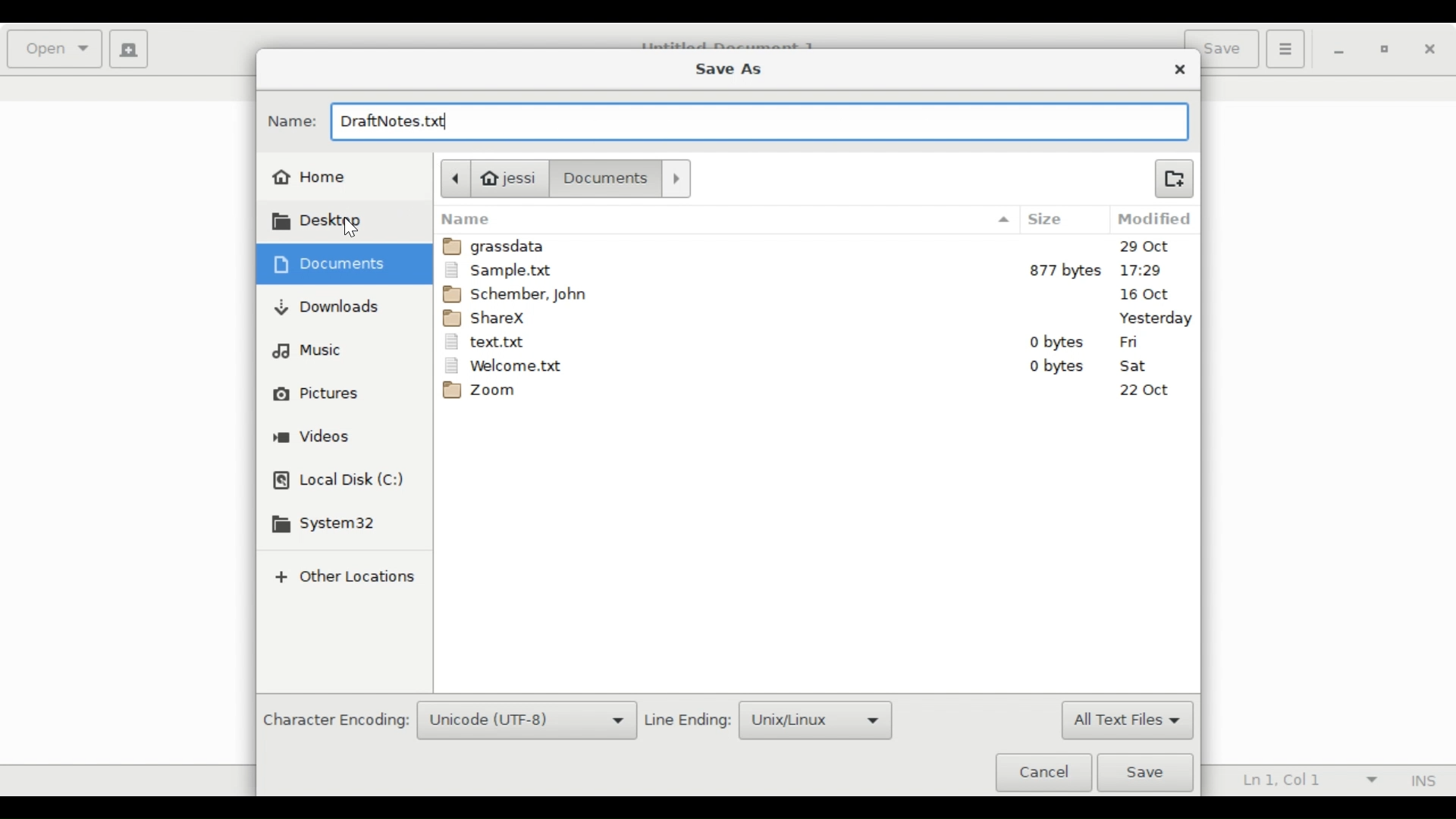 This screenshot has width=1456, height=819. Describe the element at coordinates (1058, 220) in the screenshot. I see `Size` at that location.